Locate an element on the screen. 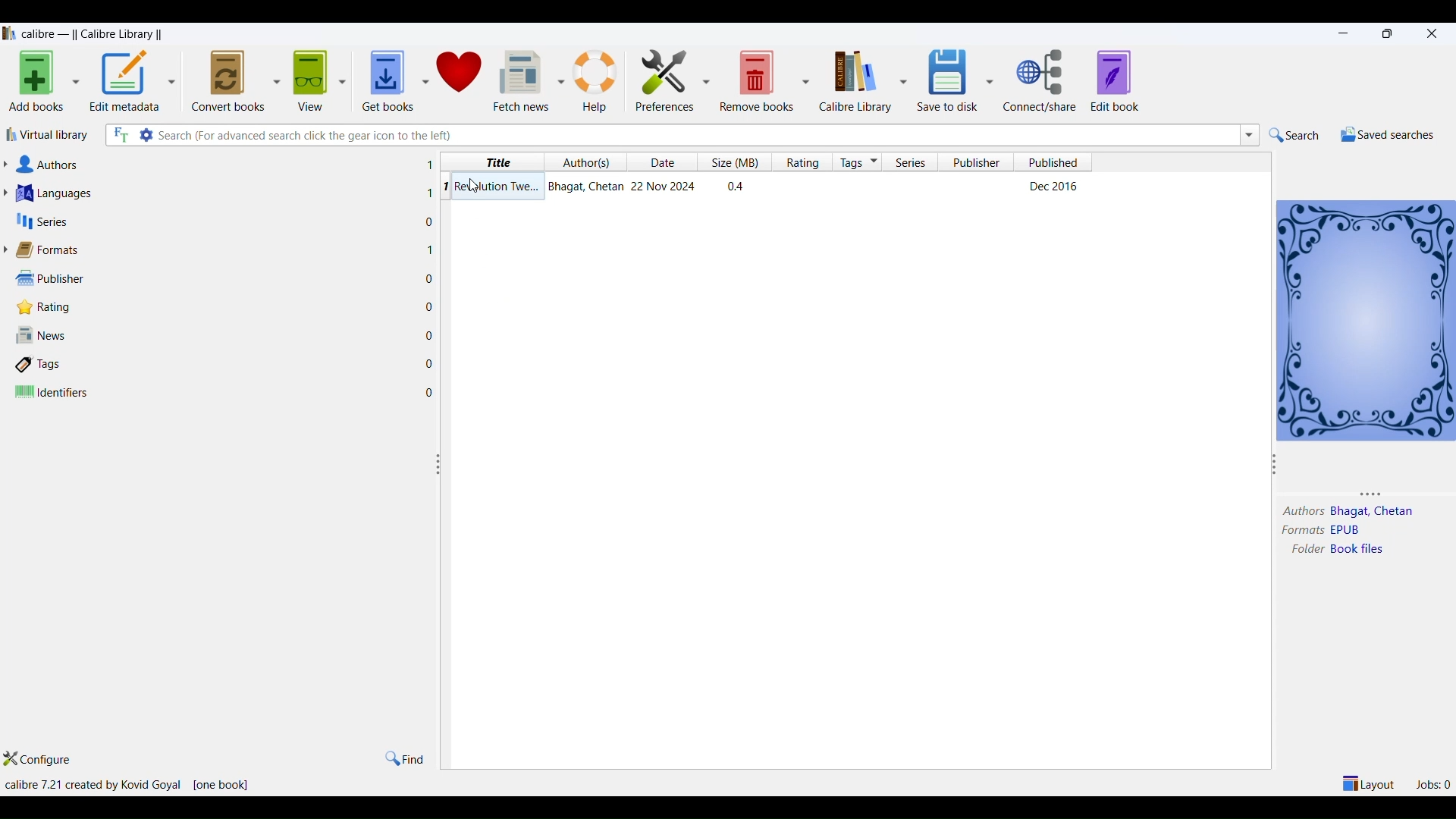  fetch news options dropdown button is located at coordinates (562, 75).